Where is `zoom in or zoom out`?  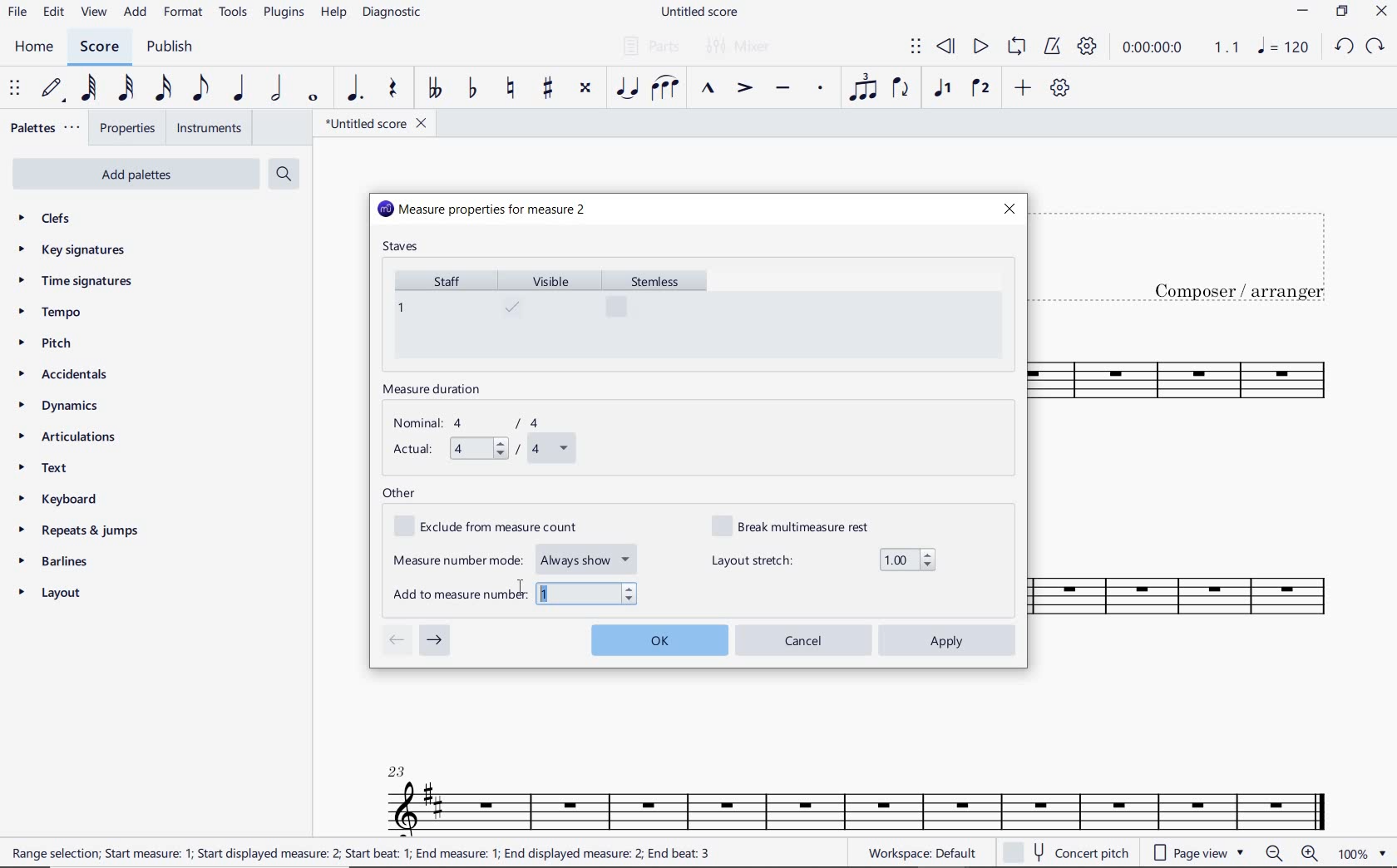
zoom in or zoom out is located at coordinates (1294, 855).